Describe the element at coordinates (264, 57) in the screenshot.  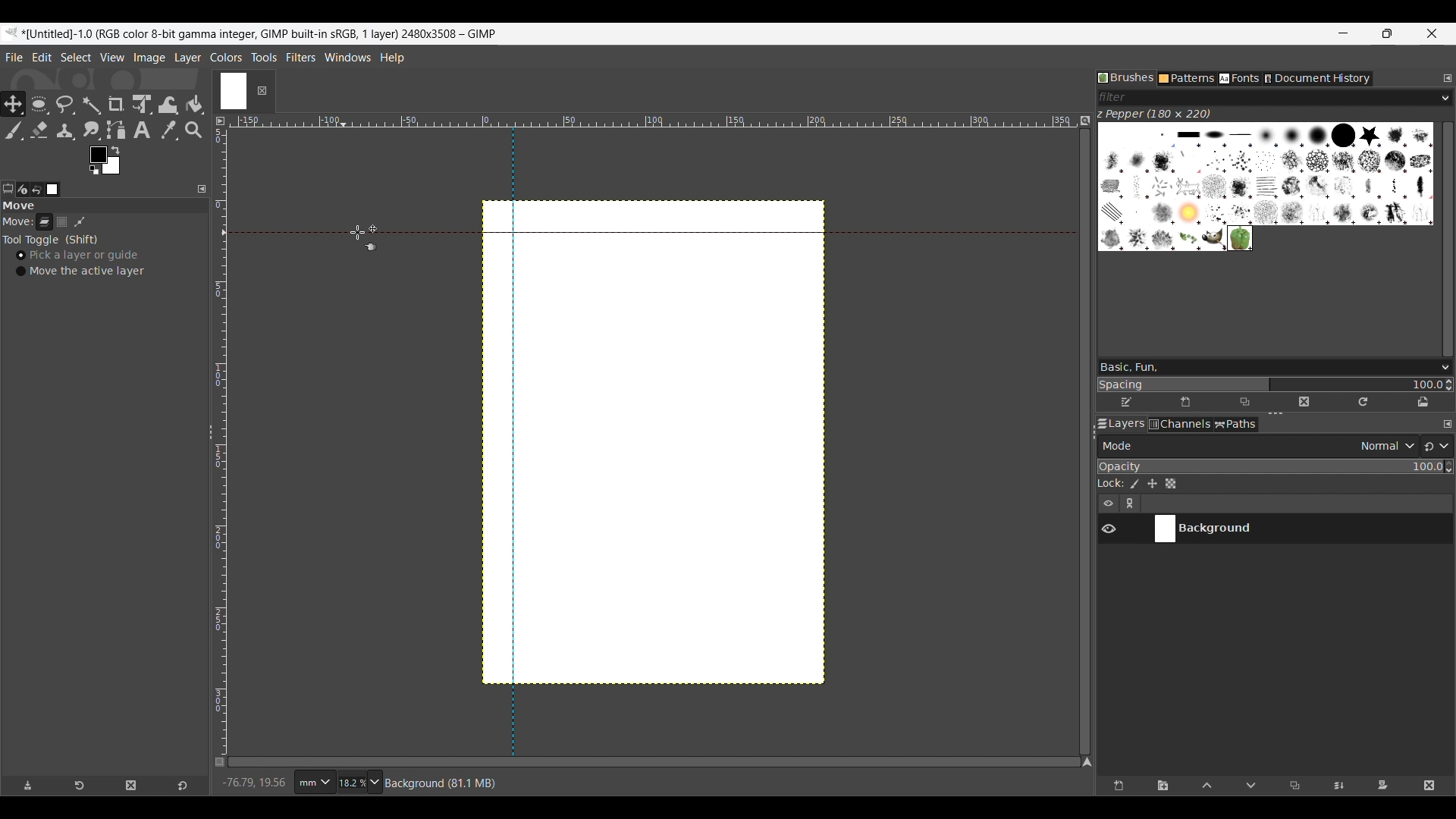
I see `Tools menu` at that location.